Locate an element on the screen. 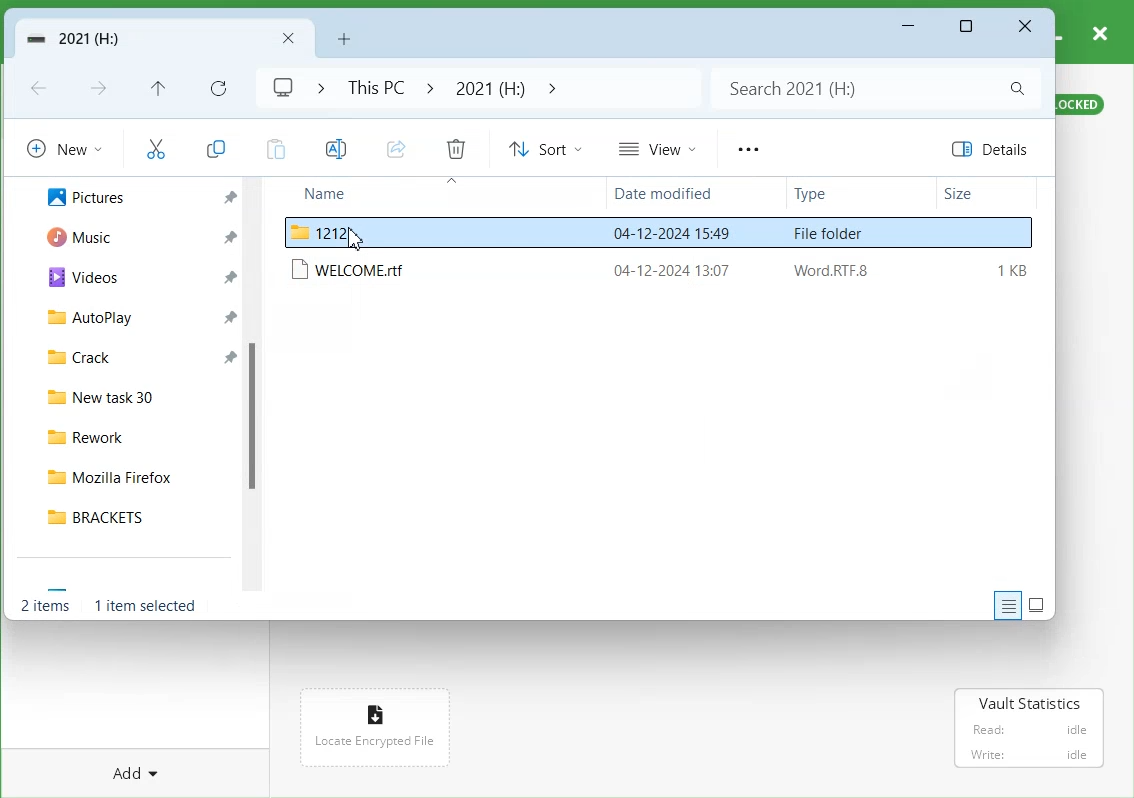 The width and height of the screenshot is (1134, 798). 1 item selected is located at coordinates (145, 605).